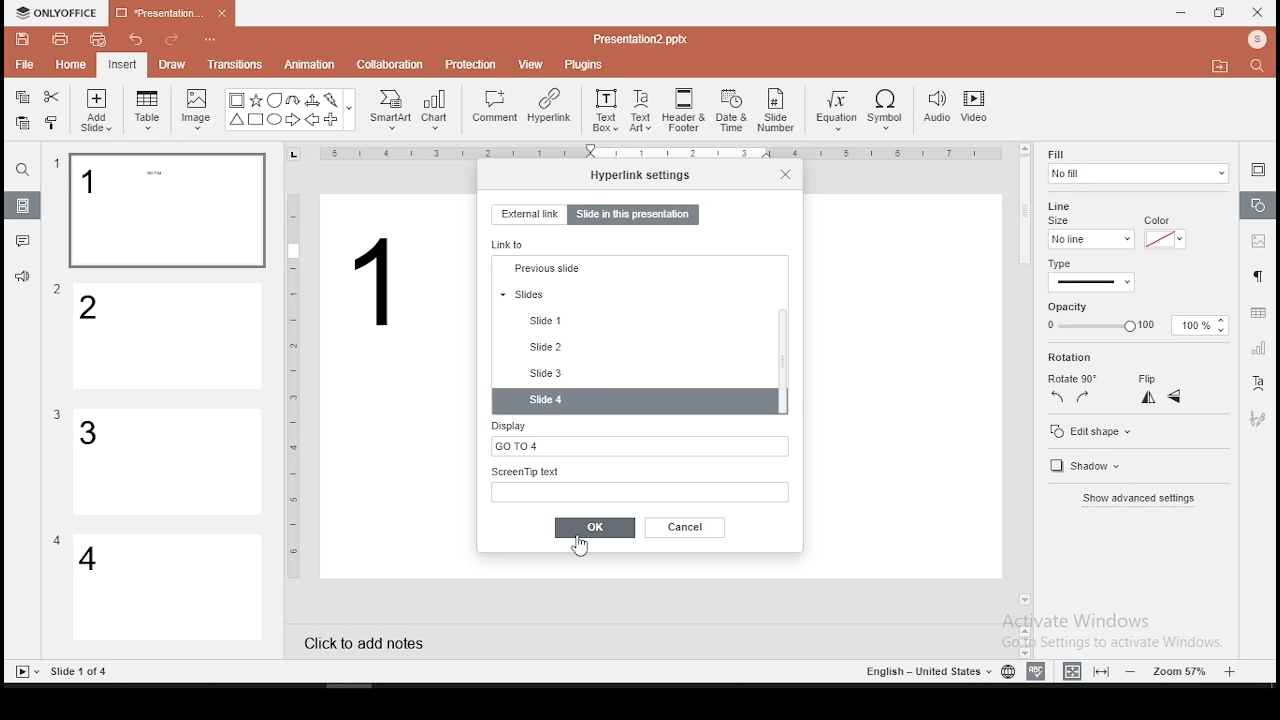 The height and width of the screenshot is (720, 1280). I want to click on slide settings, so click(1258, 169).